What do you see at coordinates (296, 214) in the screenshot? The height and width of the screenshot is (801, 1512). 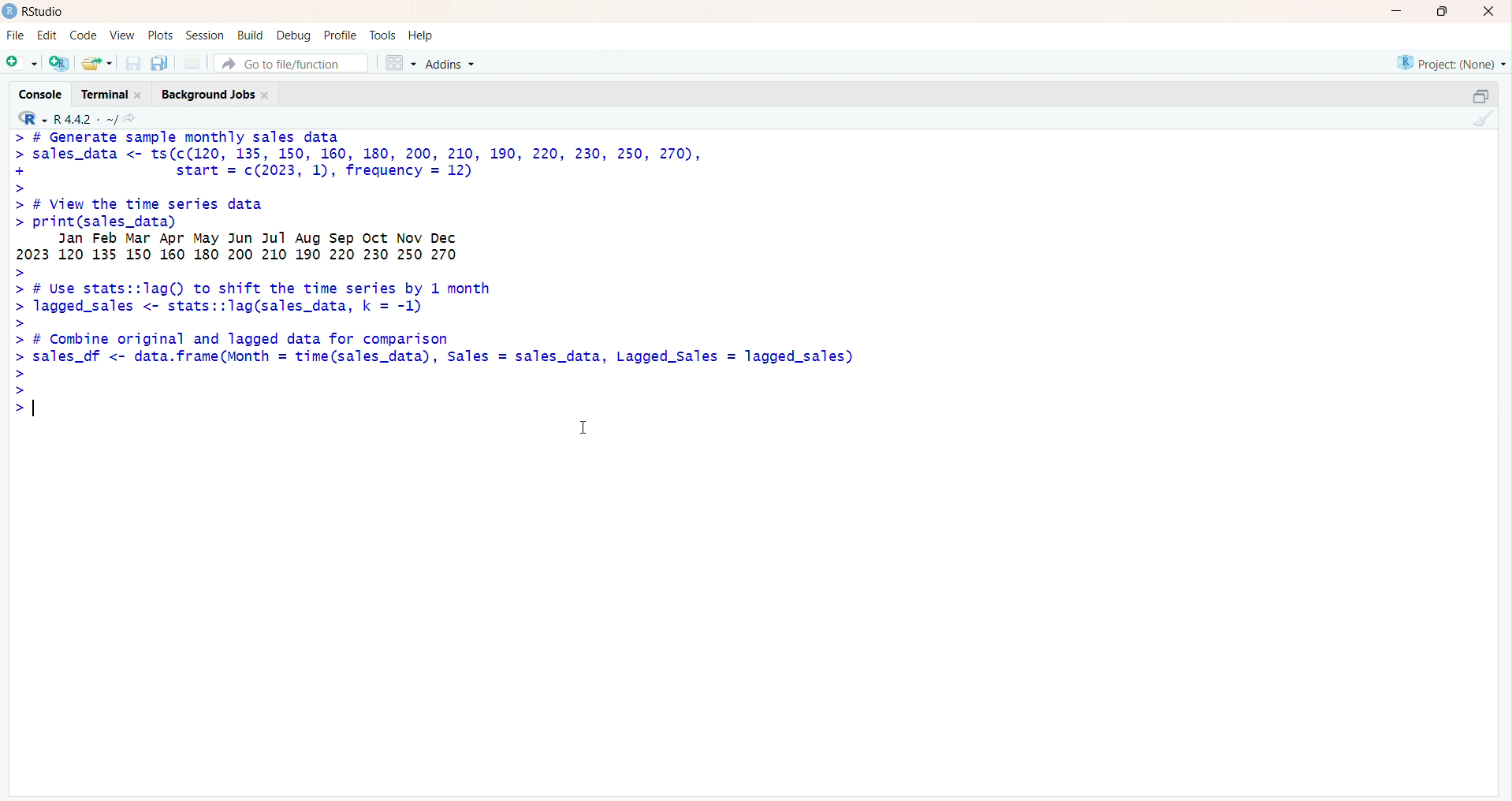 I see `> # View the Time series data> print(sales_data)` at bounding box center [296, 214].